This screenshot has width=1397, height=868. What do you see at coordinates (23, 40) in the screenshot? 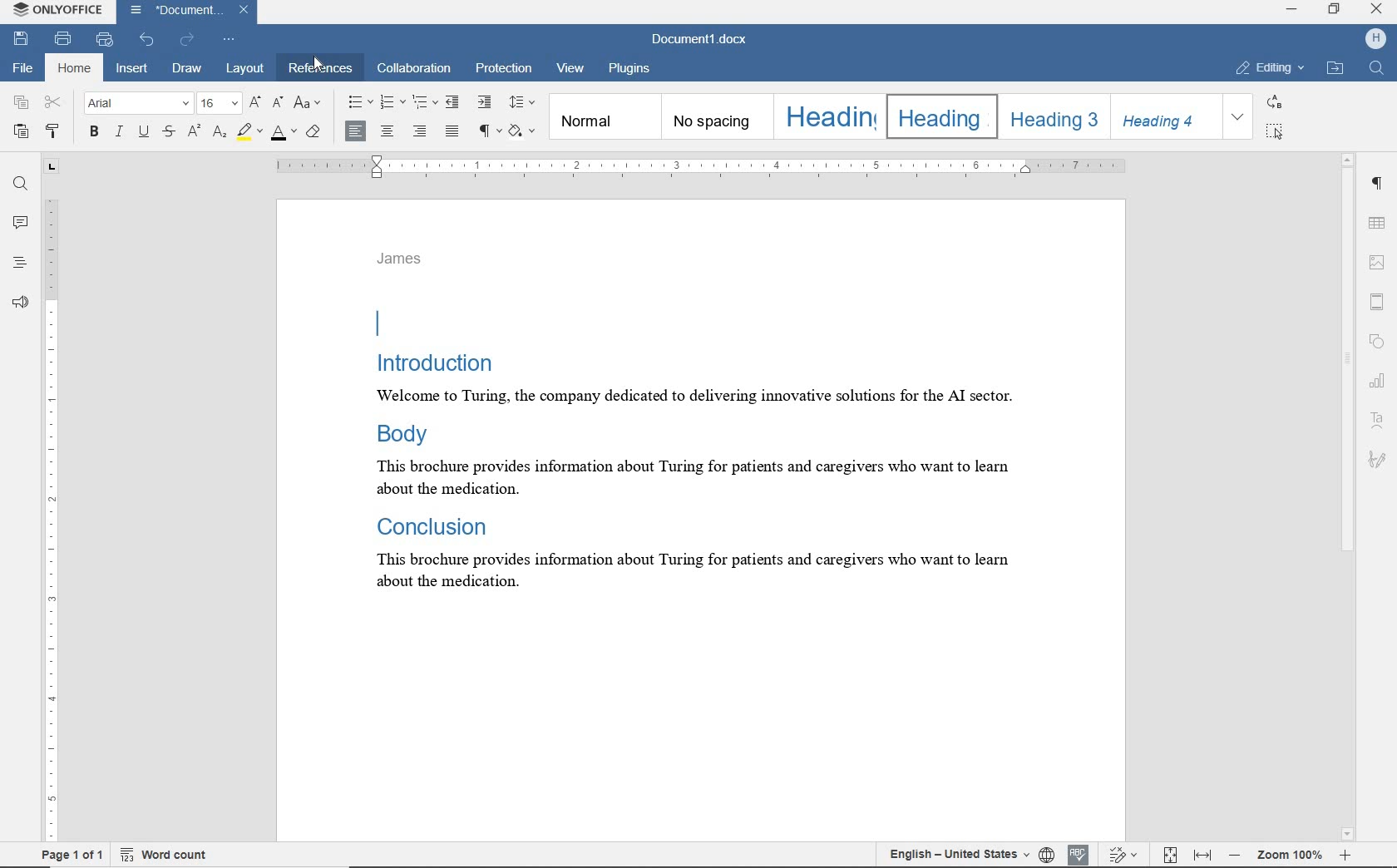
I see `save` at bounding box center [23, 40].